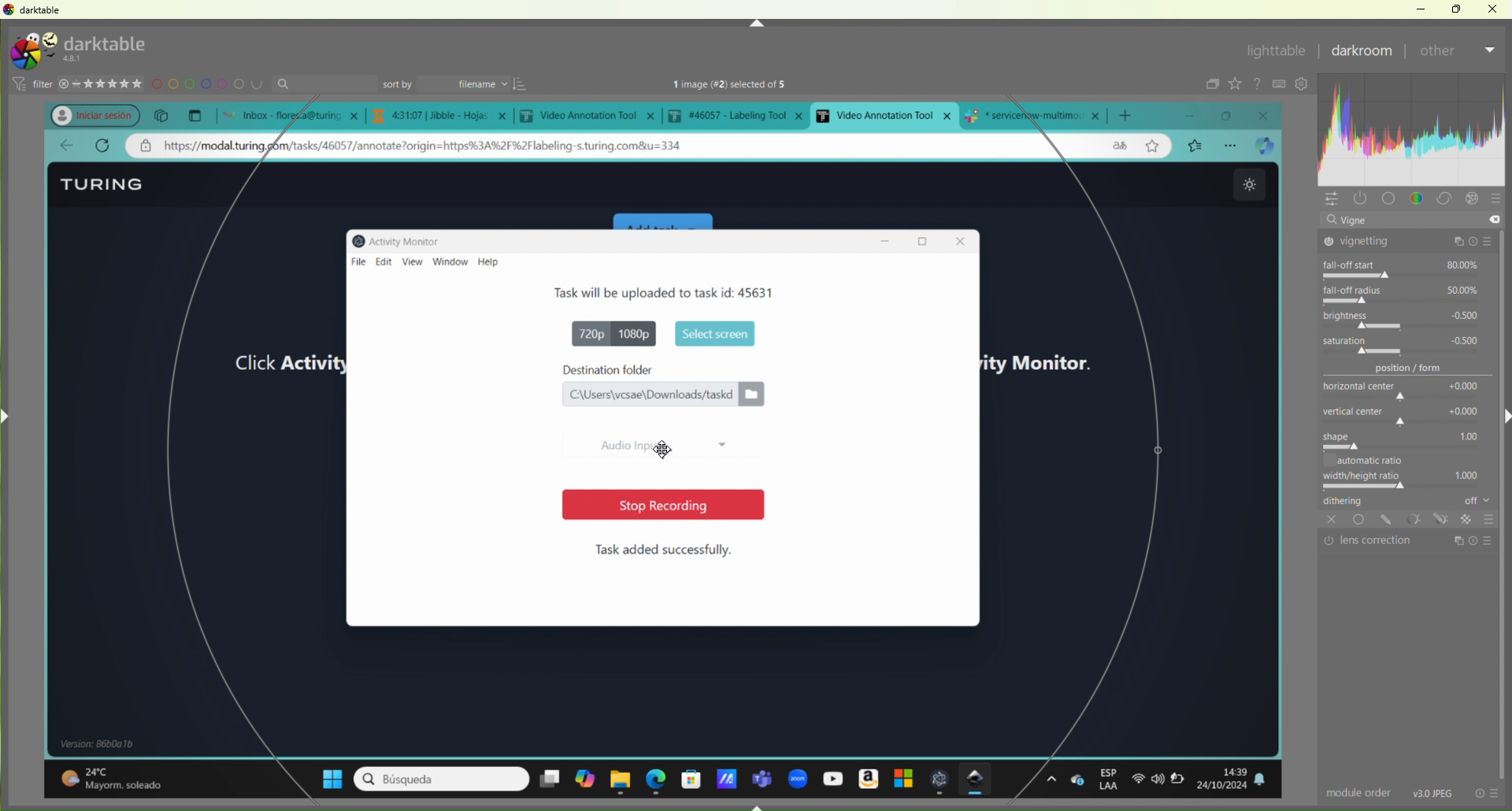  I want to click on automatic ratio, so click(1394, 460).